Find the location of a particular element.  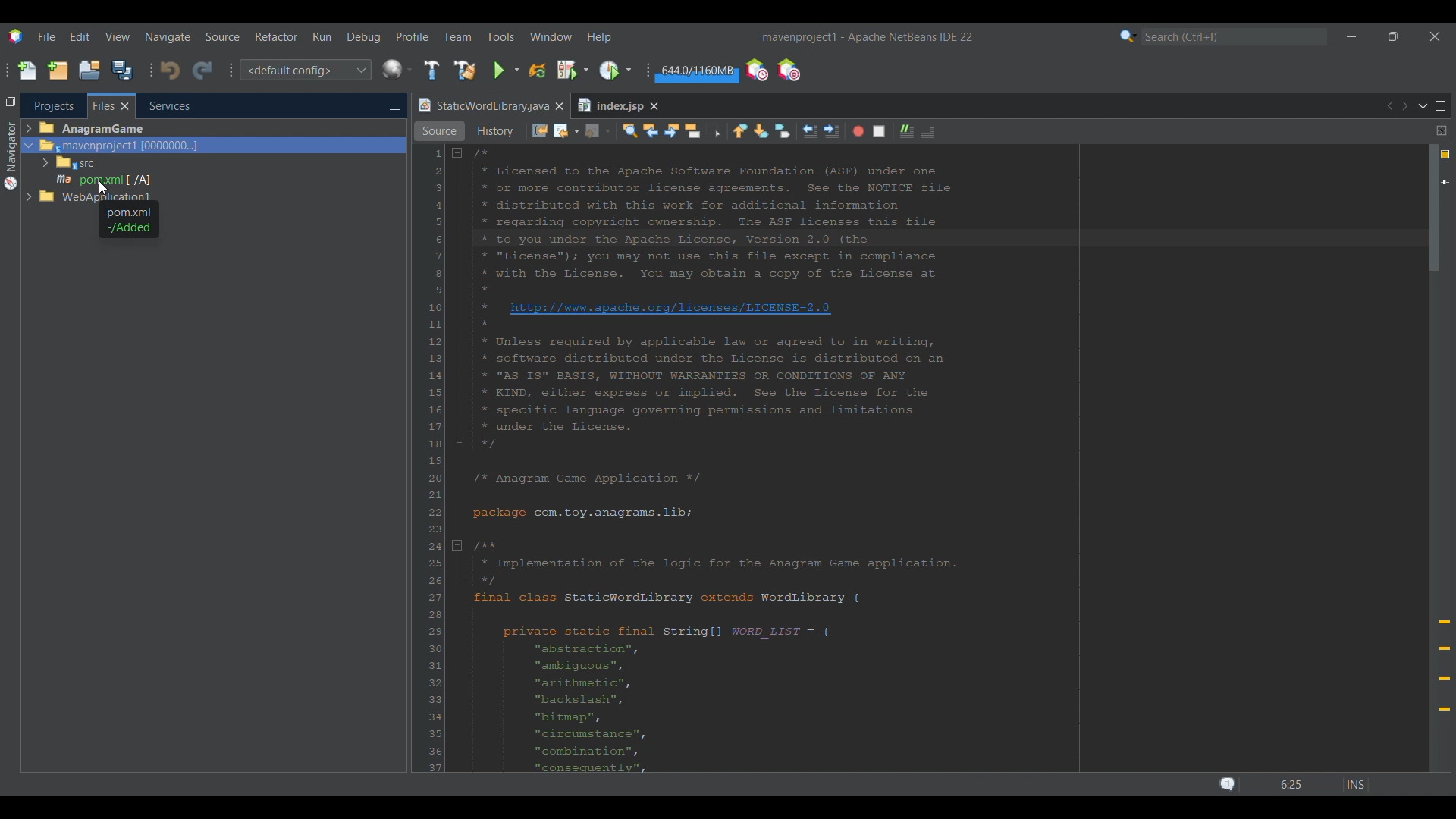

Expand is located at coordinates (31, 166).